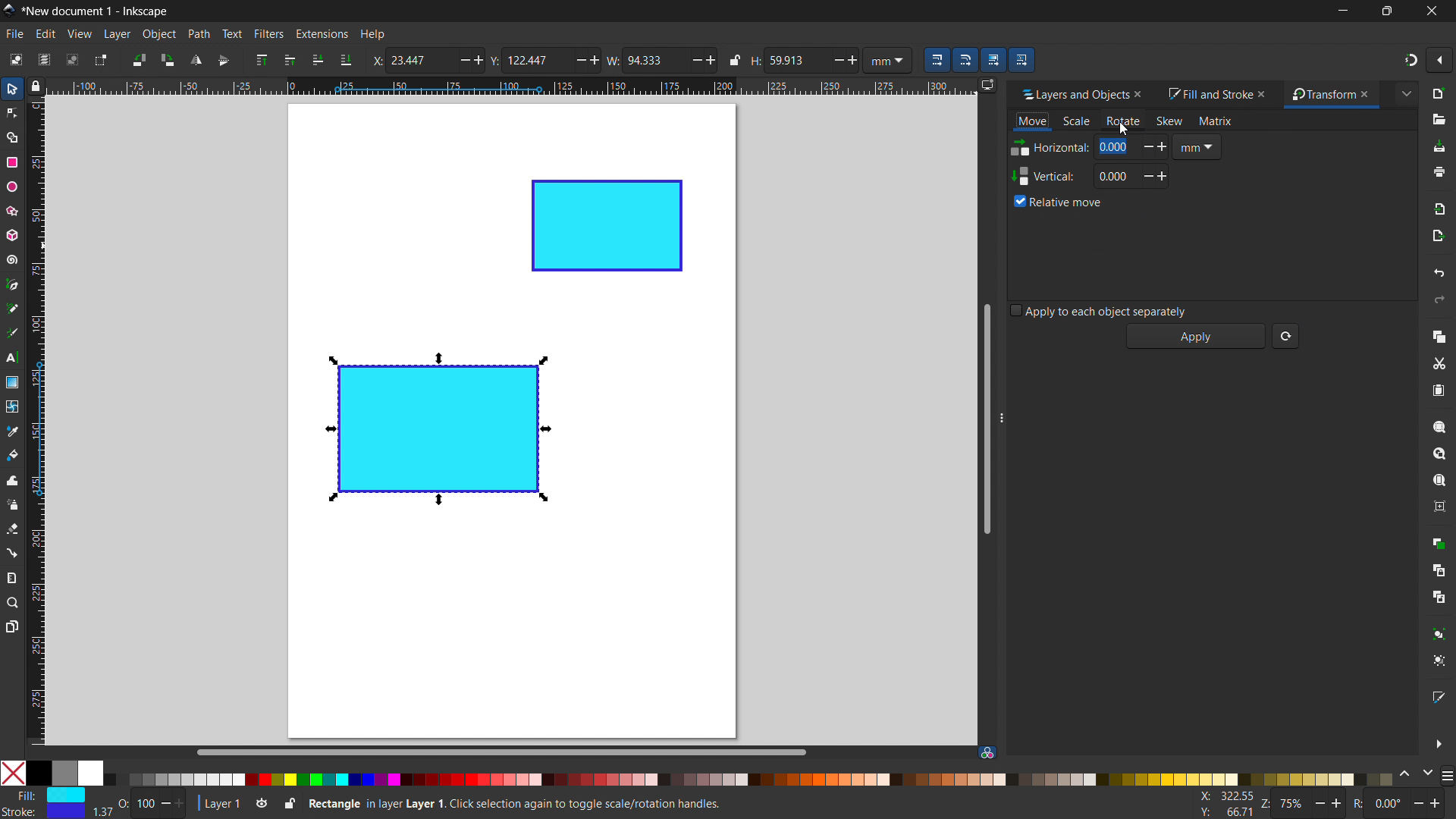 Image resolution: width=1456 pixels, height=819 pixels. Describe the element at coordinates (1070, 94) in the screenshot. I see `layers and objects` at that location.